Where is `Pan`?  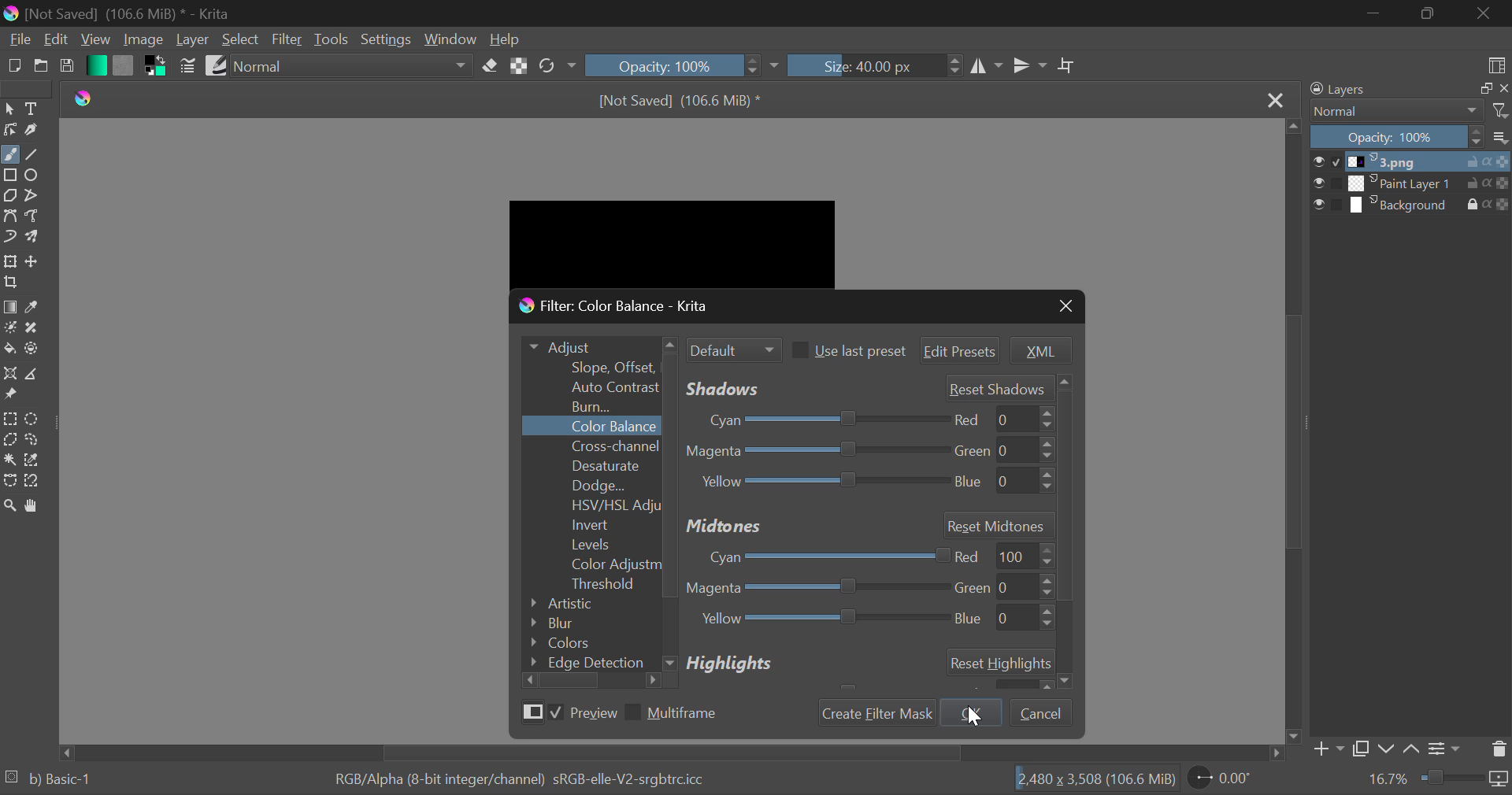 Pan is located at coordinates (38, 505).